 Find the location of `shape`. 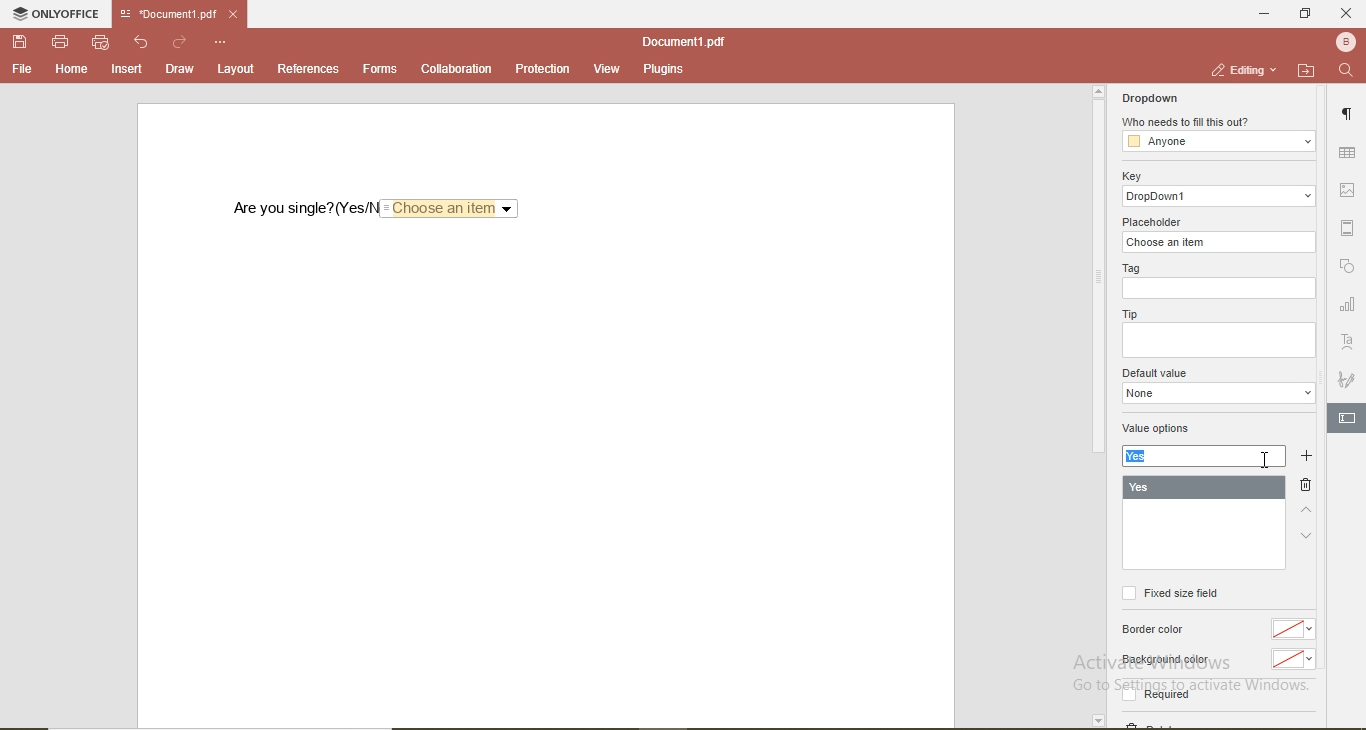

shape is located at coordinates (1351, 269).